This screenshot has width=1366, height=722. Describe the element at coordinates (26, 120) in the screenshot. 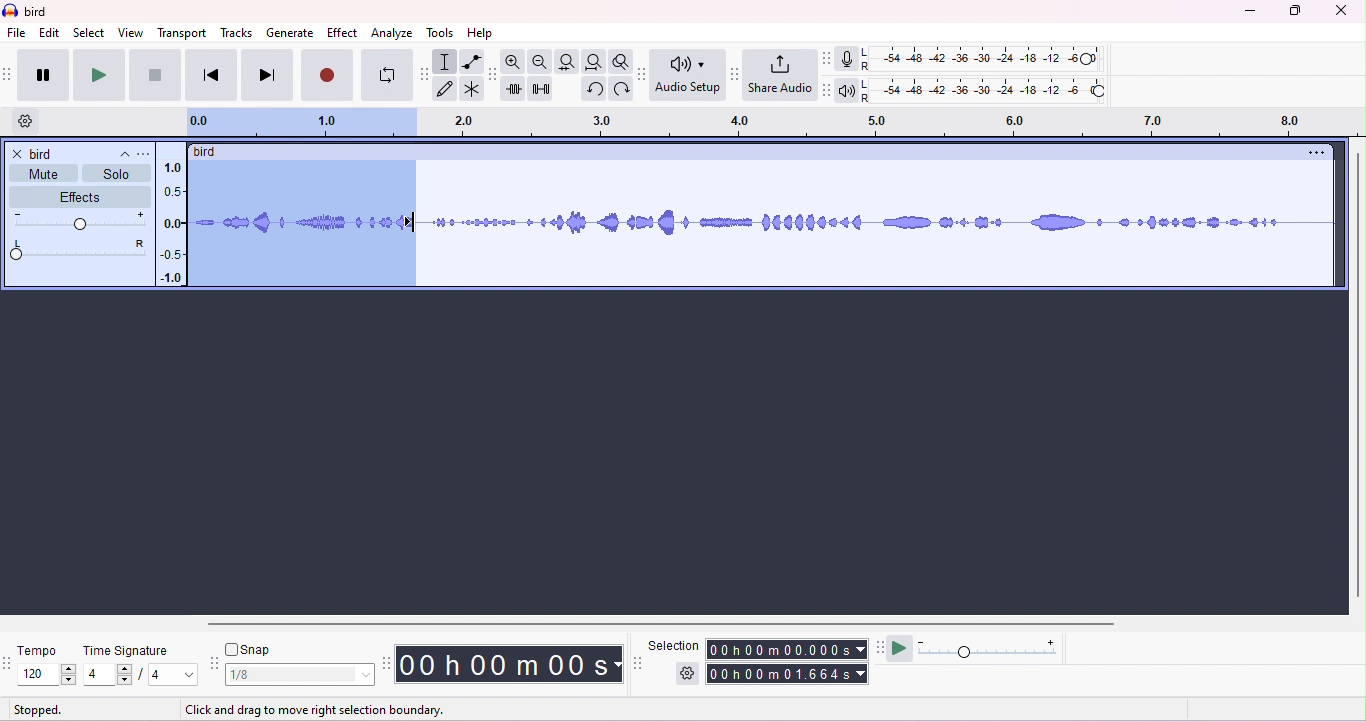

I see `timeline options` at that location.